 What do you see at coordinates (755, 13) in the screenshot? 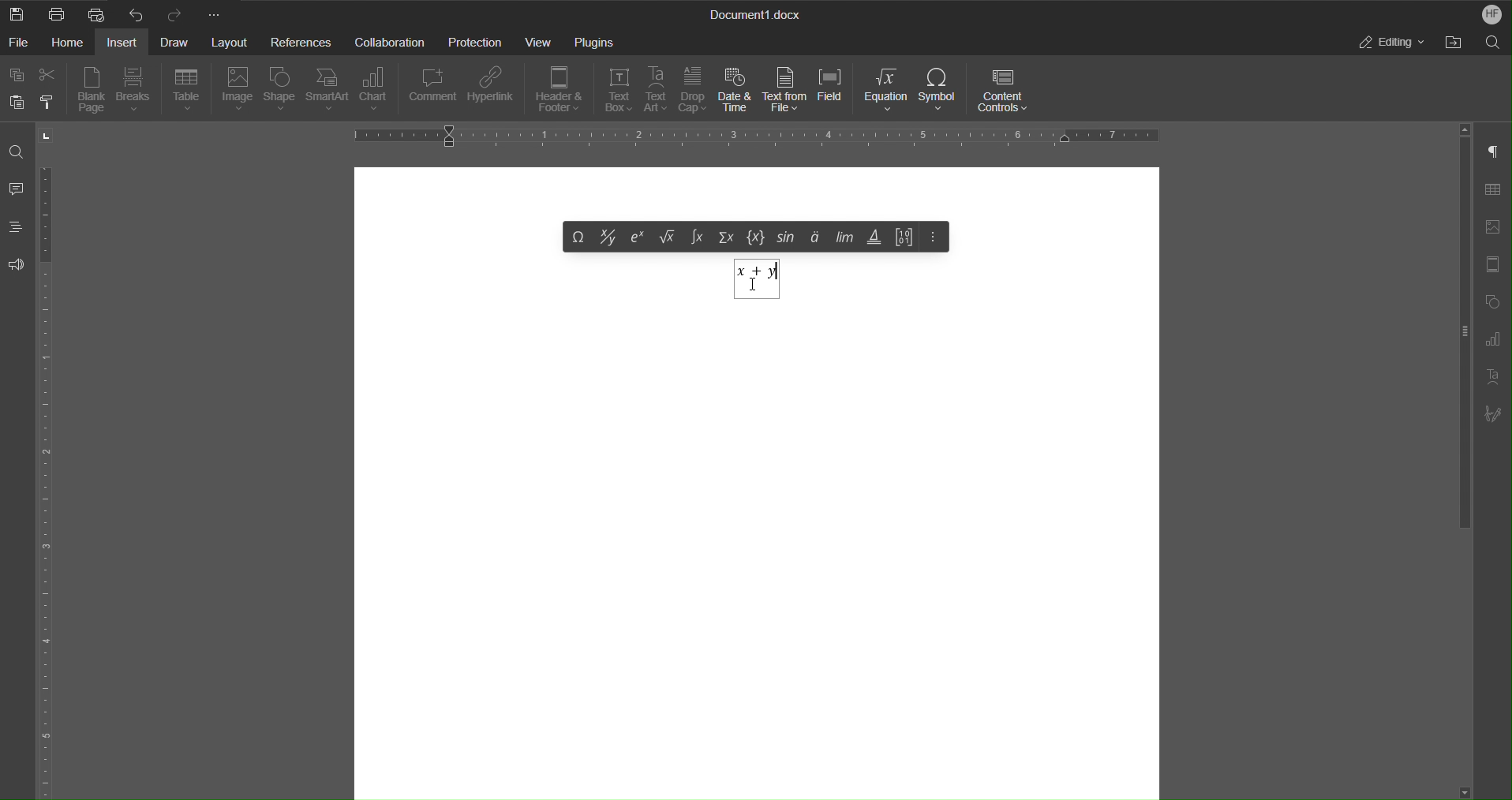
I see `Document Title` at bounding box center [755, 13].